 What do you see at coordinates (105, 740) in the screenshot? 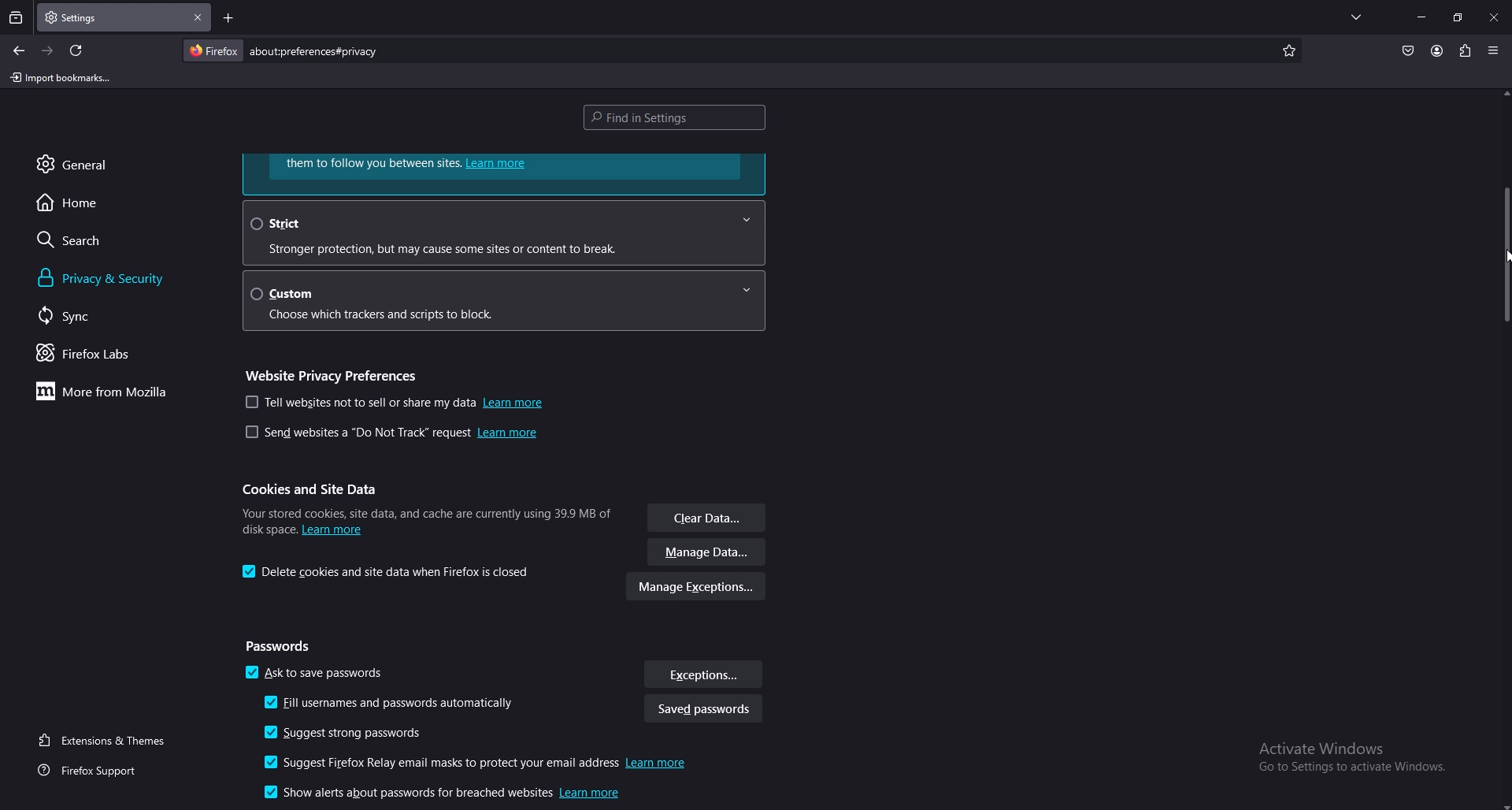
I see `extension and themes` at bounding box center [105, 740].